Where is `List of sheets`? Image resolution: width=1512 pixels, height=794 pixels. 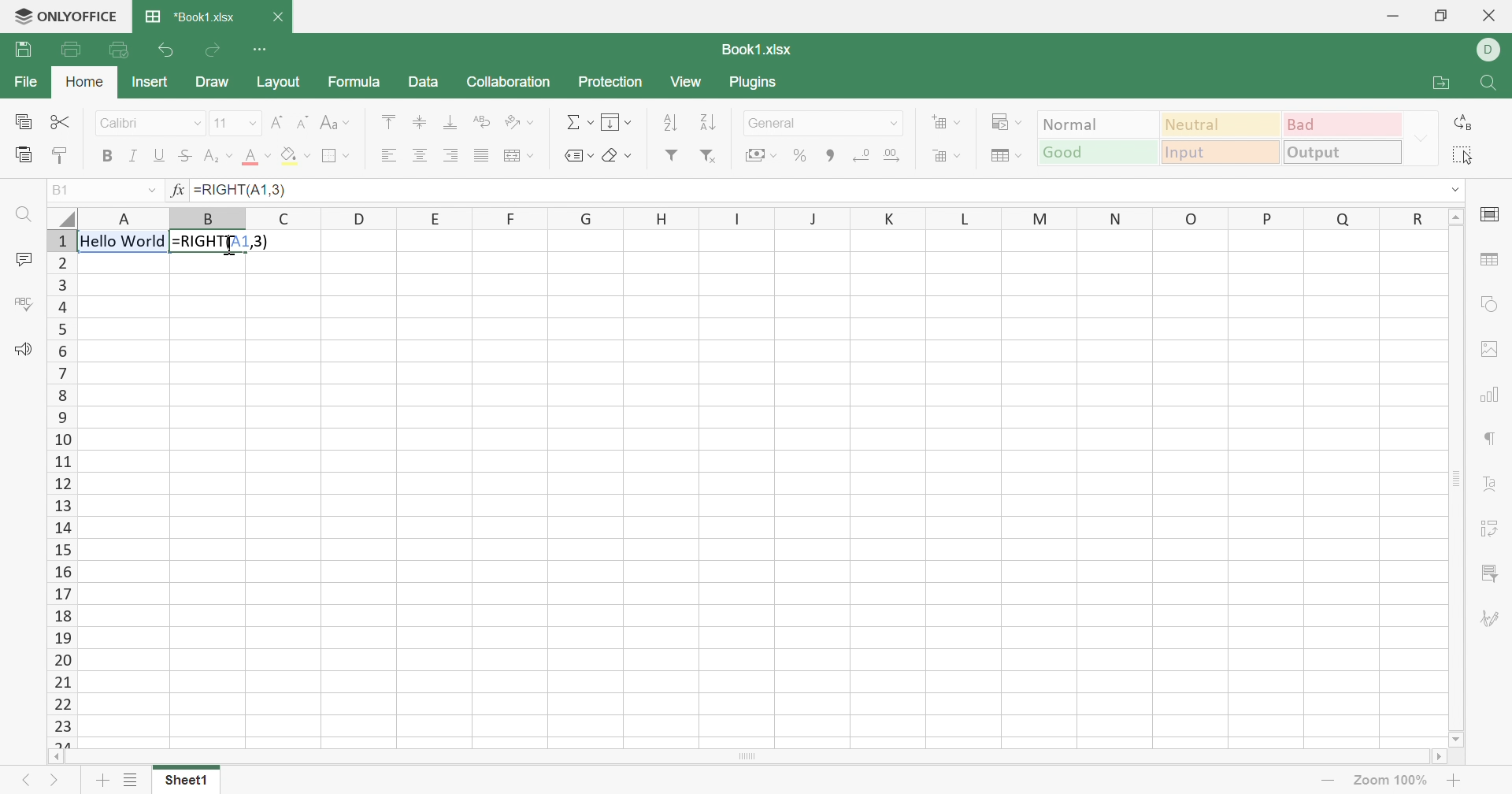 List of sheets is located at coordinates (132, 781).